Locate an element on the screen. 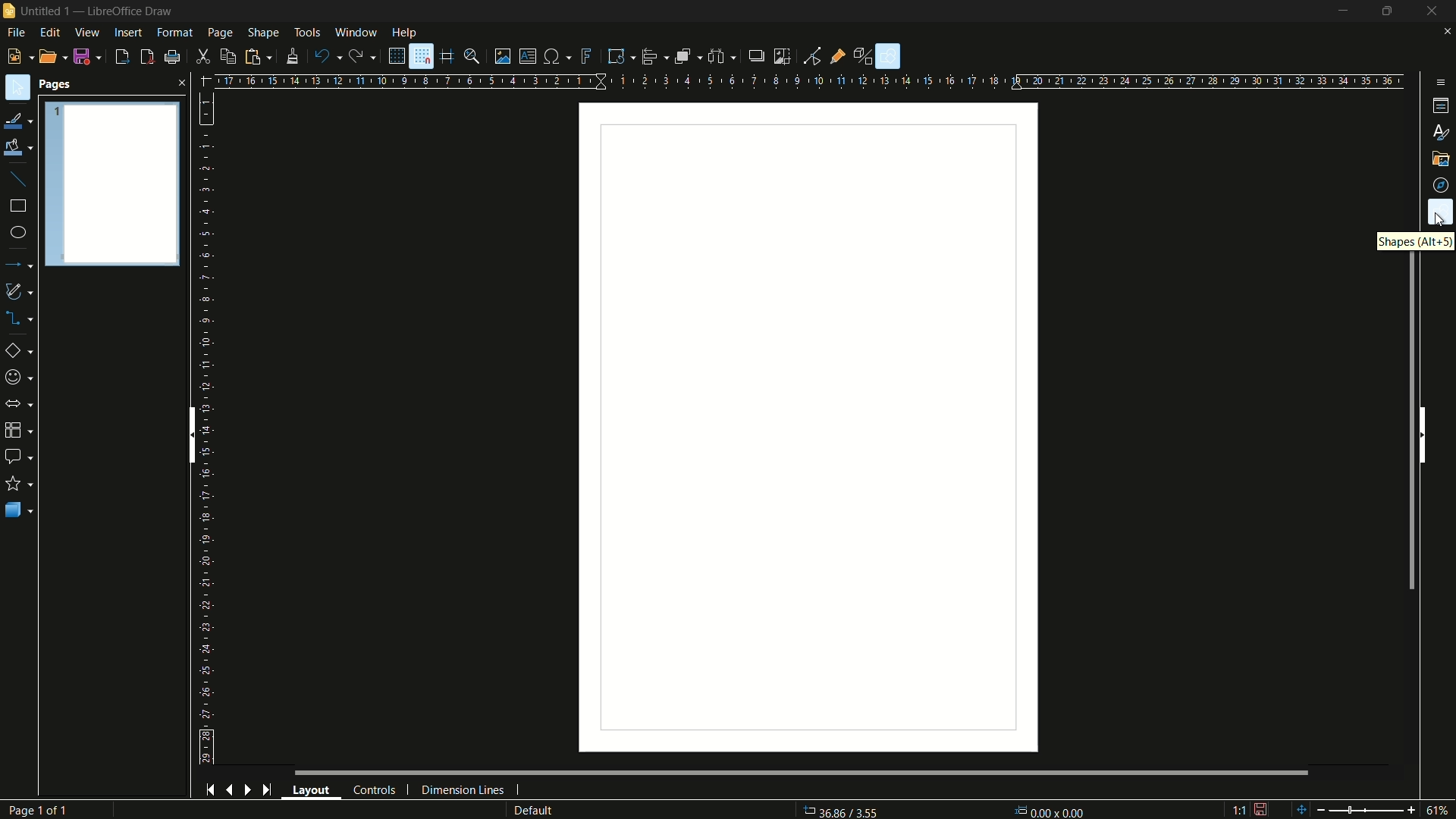  Page 1 of 1 is located at coordinates (45, 810).